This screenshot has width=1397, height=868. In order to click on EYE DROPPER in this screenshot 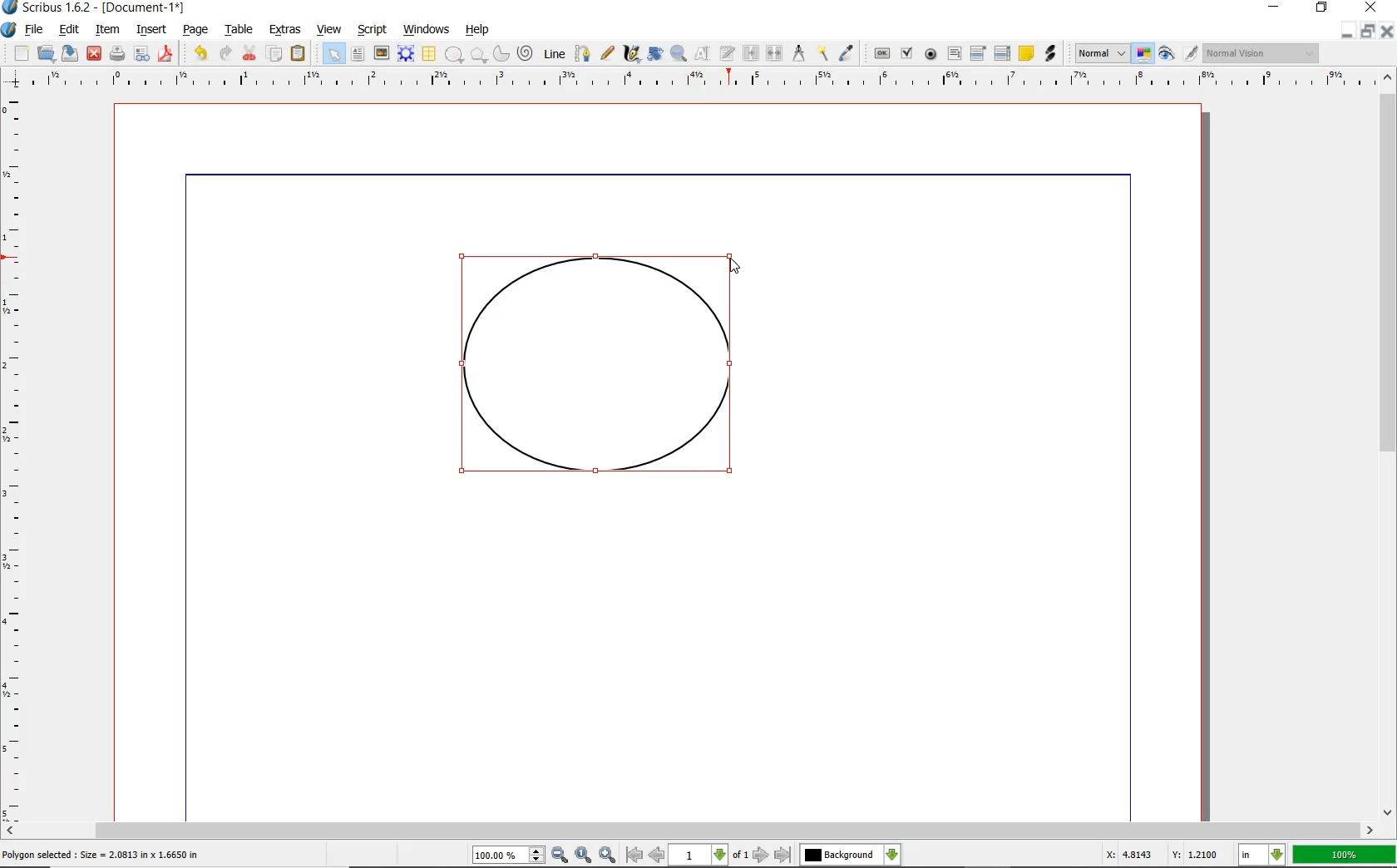, I will do `click(847, 54)`.